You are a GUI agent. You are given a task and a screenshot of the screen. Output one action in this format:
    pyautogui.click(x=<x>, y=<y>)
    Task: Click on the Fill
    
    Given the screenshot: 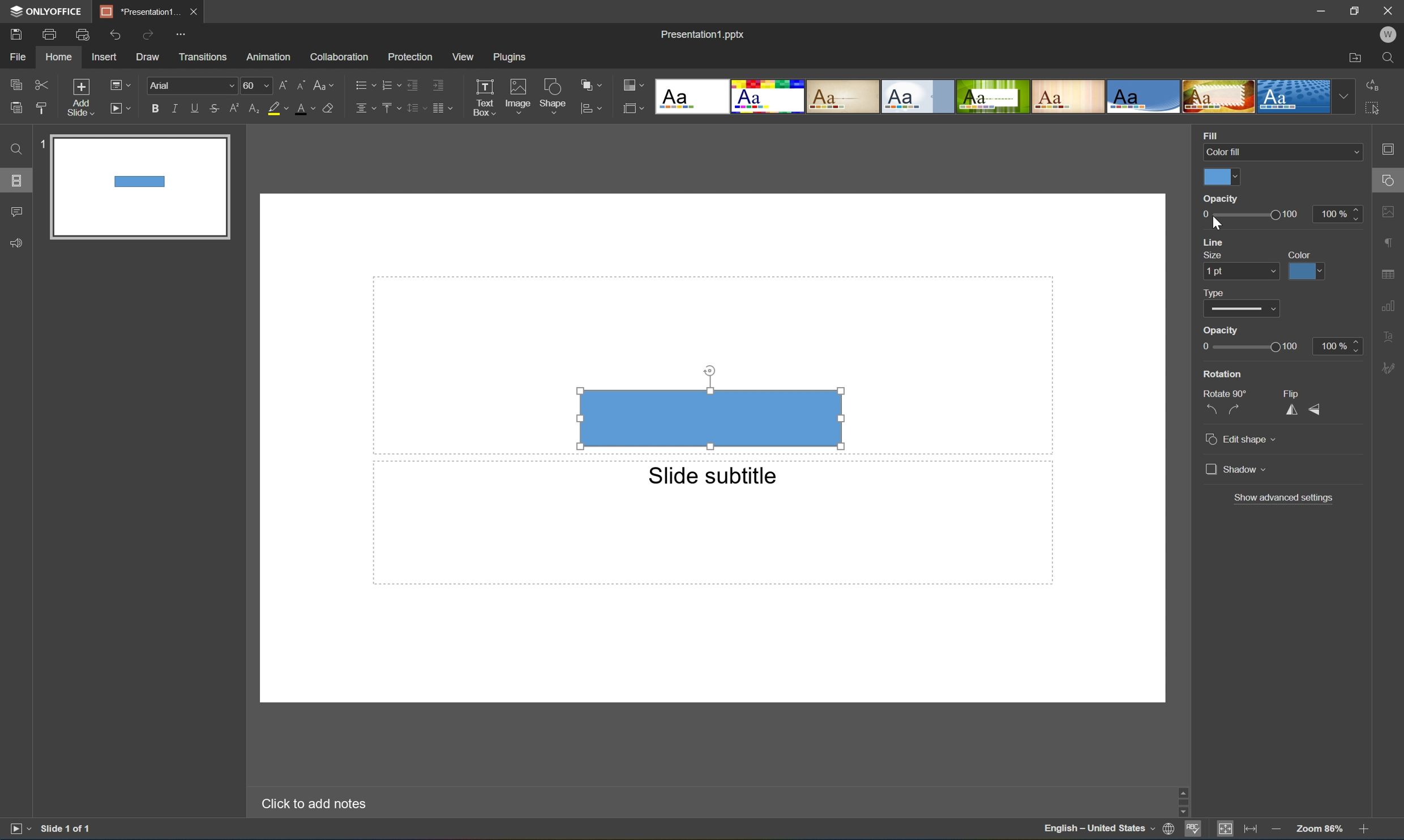 What is the action you would take?
    pyautogui.click(x=1214, y=134)
    